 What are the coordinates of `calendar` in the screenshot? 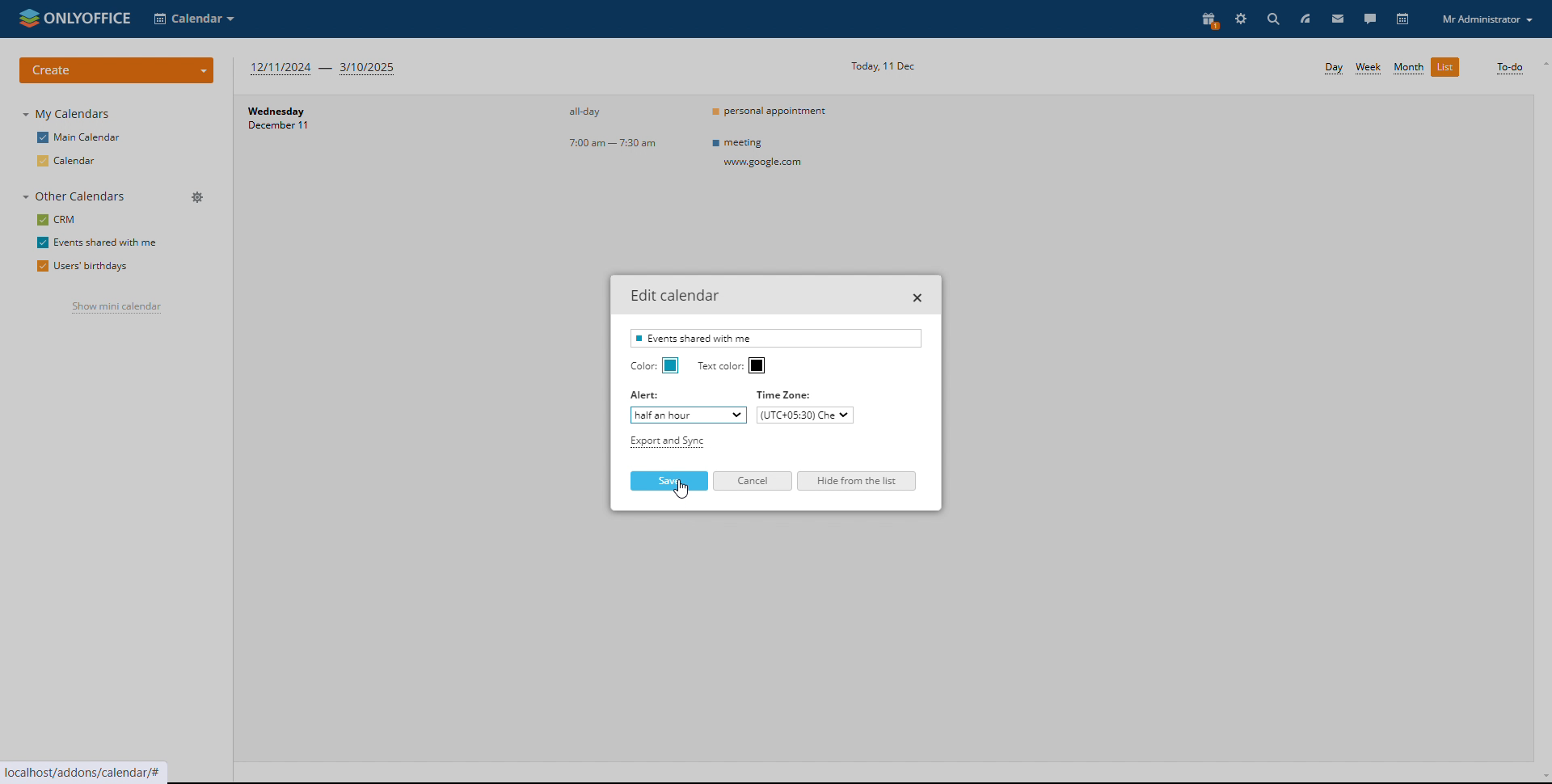 It's located at (1404, 19).